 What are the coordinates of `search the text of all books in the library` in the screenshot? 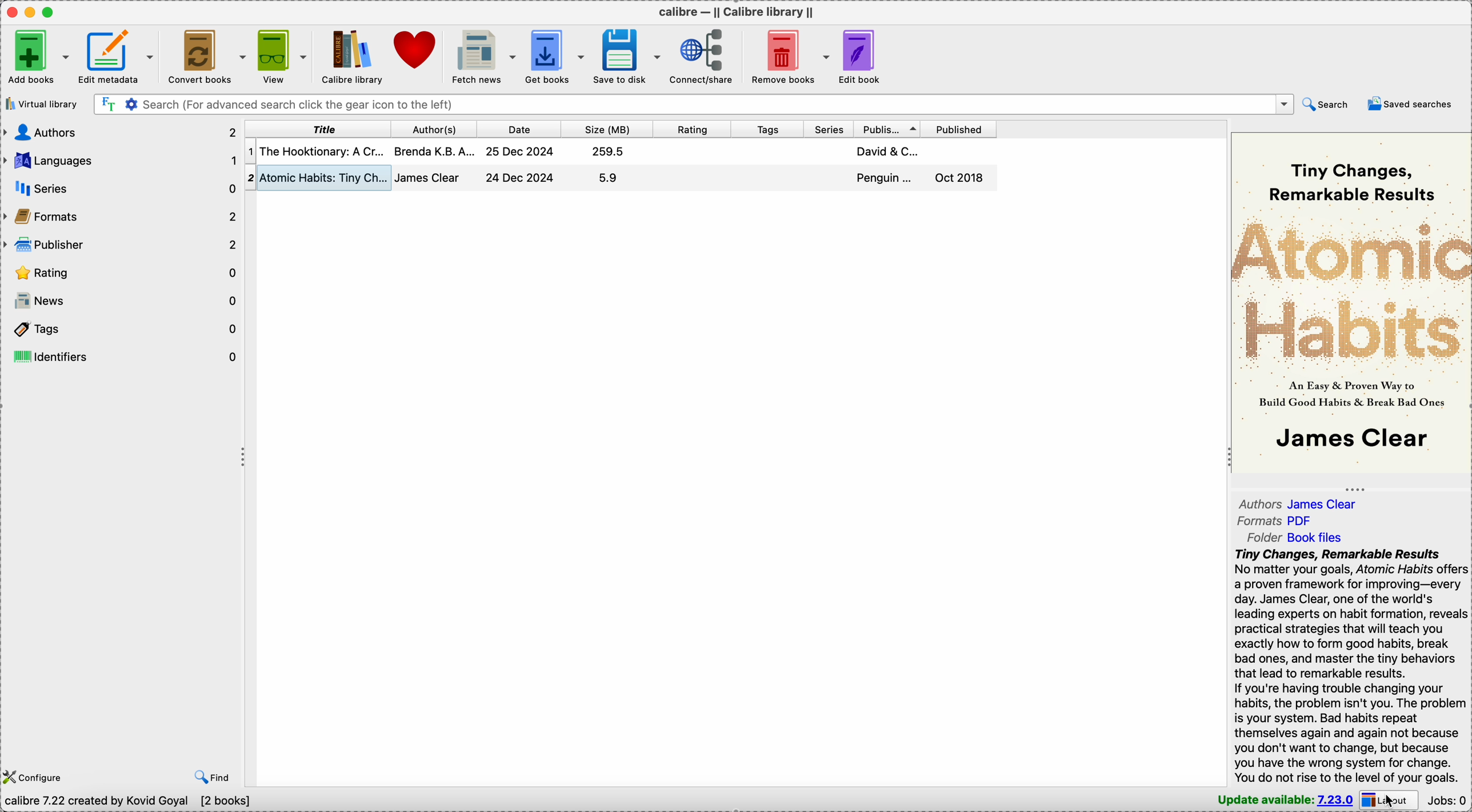 It's located at (108, 105).